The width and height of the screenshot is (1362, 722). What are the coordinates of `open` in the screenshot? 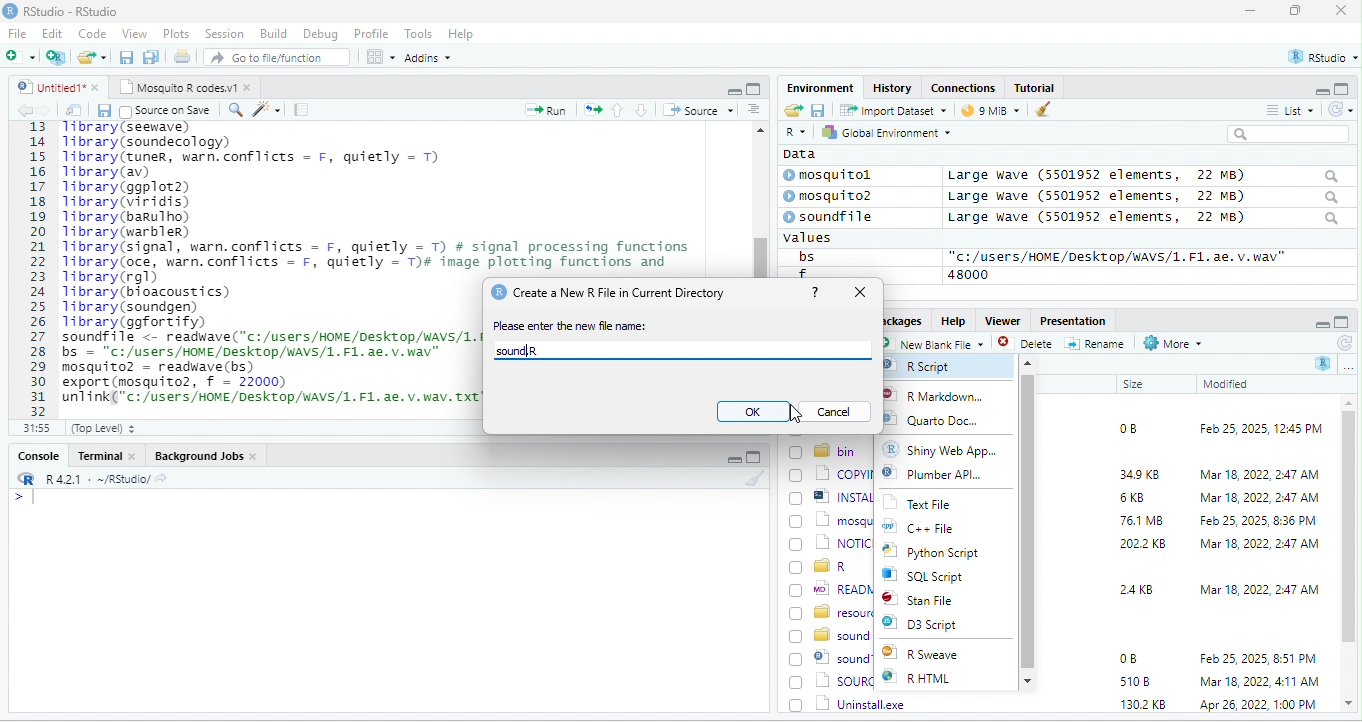 It's located at (792, 111).